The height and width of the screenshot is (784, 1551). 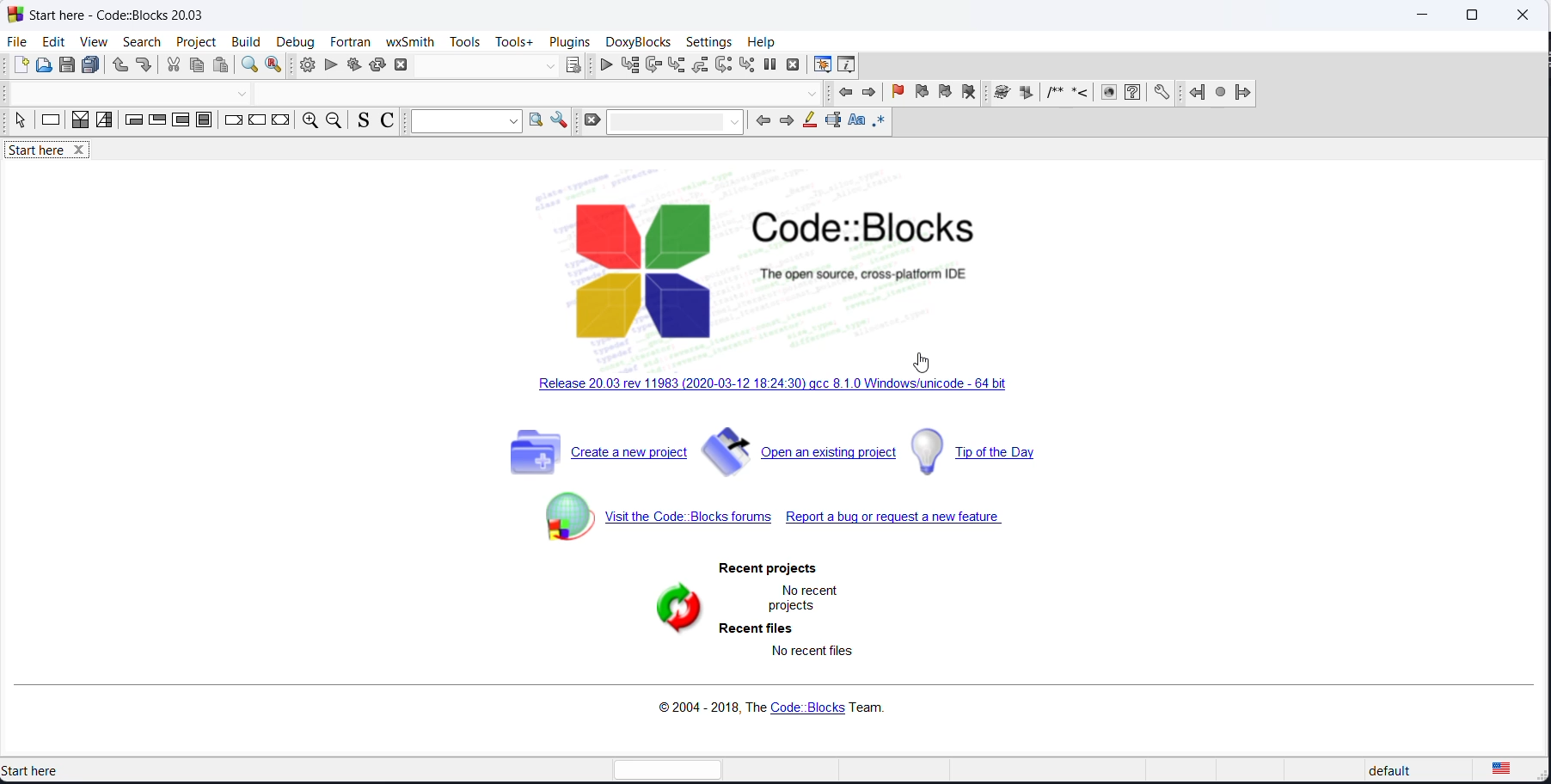 I want to click on icon, so click(x=1055, y=95).